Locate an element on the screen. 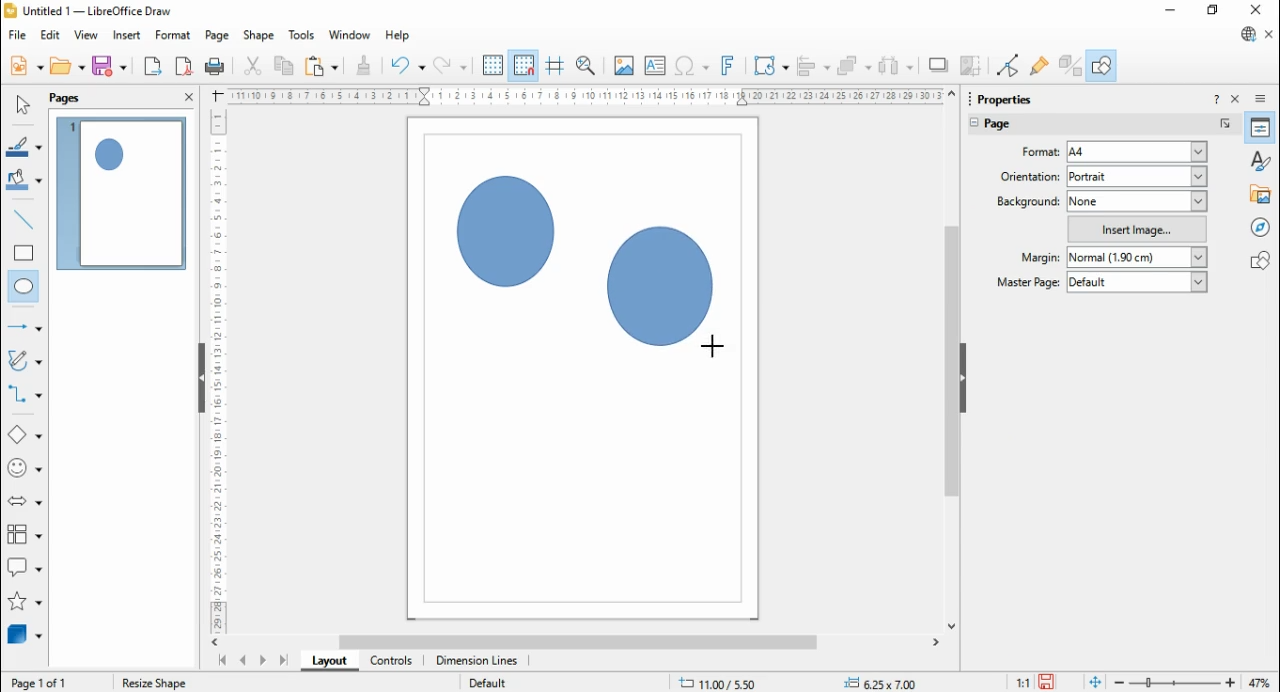 This screenshot has height=692, width=1280. line color is located at coordinates (26, 146).